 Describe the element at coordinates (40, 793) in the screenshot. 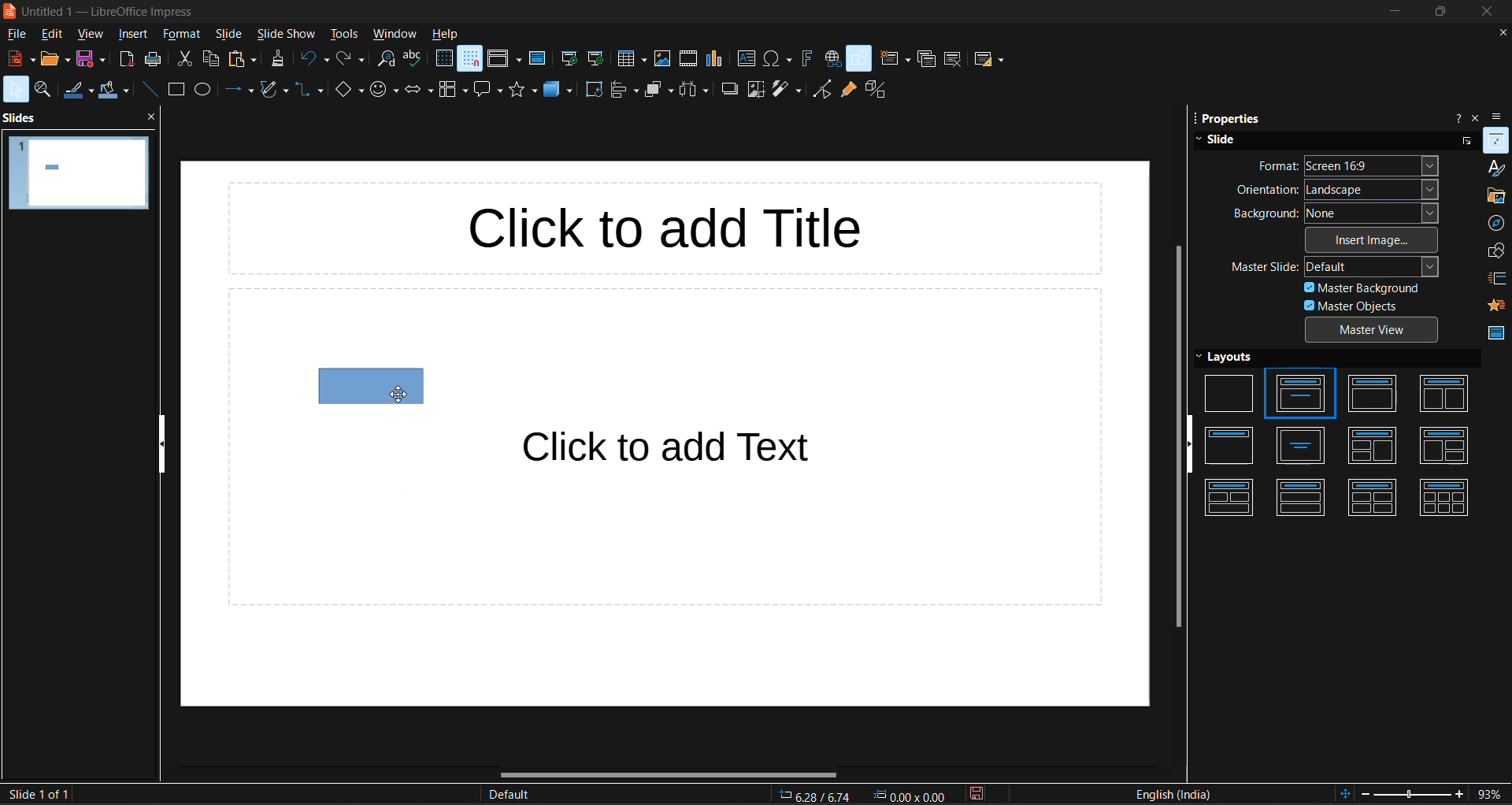

I see `slide 1 of 1` at that location.